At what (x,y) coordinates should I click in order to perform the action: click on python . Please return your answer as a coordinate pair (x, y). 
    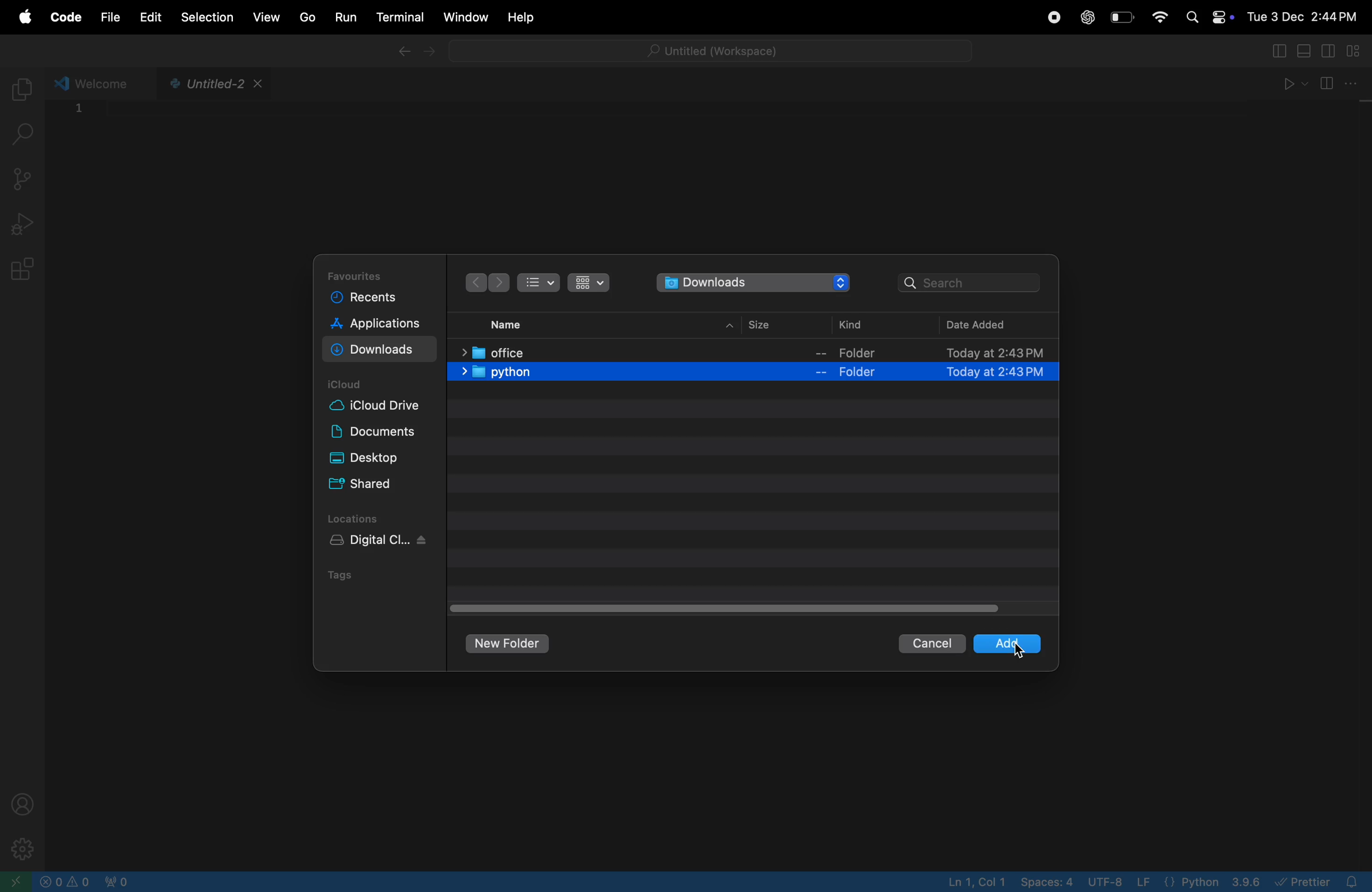
    Looking at the image, I should click on (1213, 881).